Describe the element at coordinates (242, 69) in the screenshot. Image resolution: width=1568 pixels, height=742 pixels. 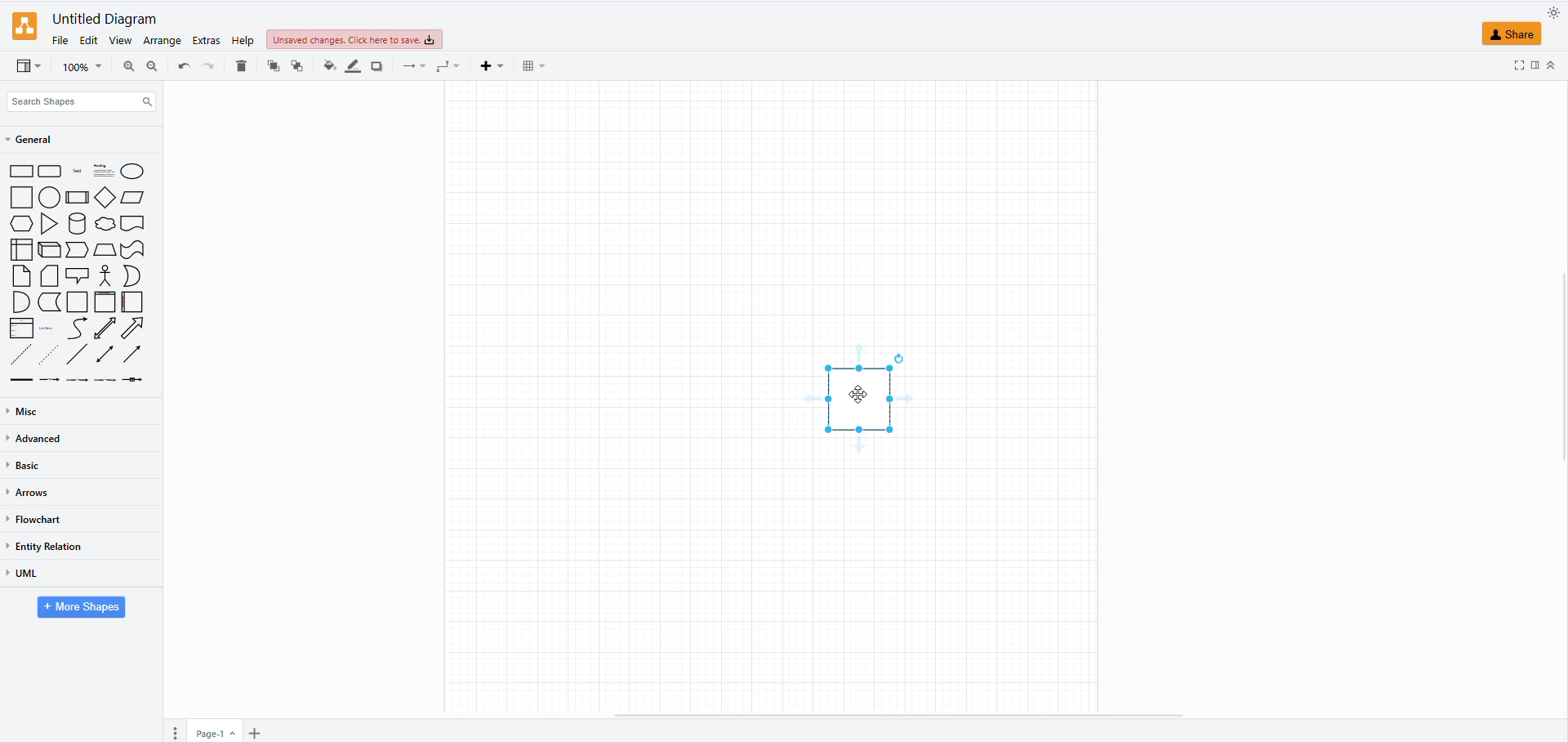
I see `delete` at that location.